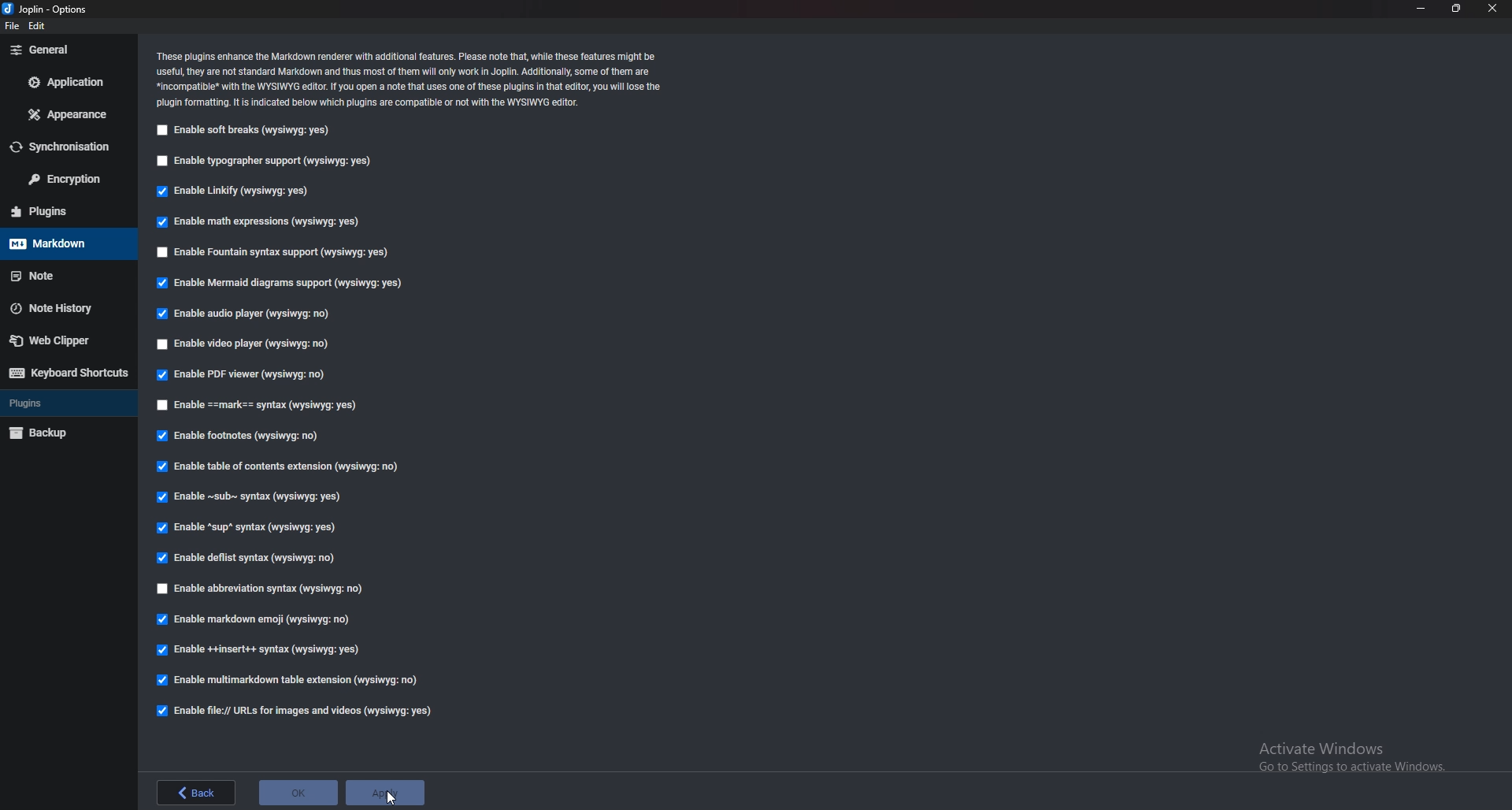 The width and height of the screenshot is (1512, 810). Describe the element at coordinates (1421, 10) in the screenshot. I see `Minimize` at that location.